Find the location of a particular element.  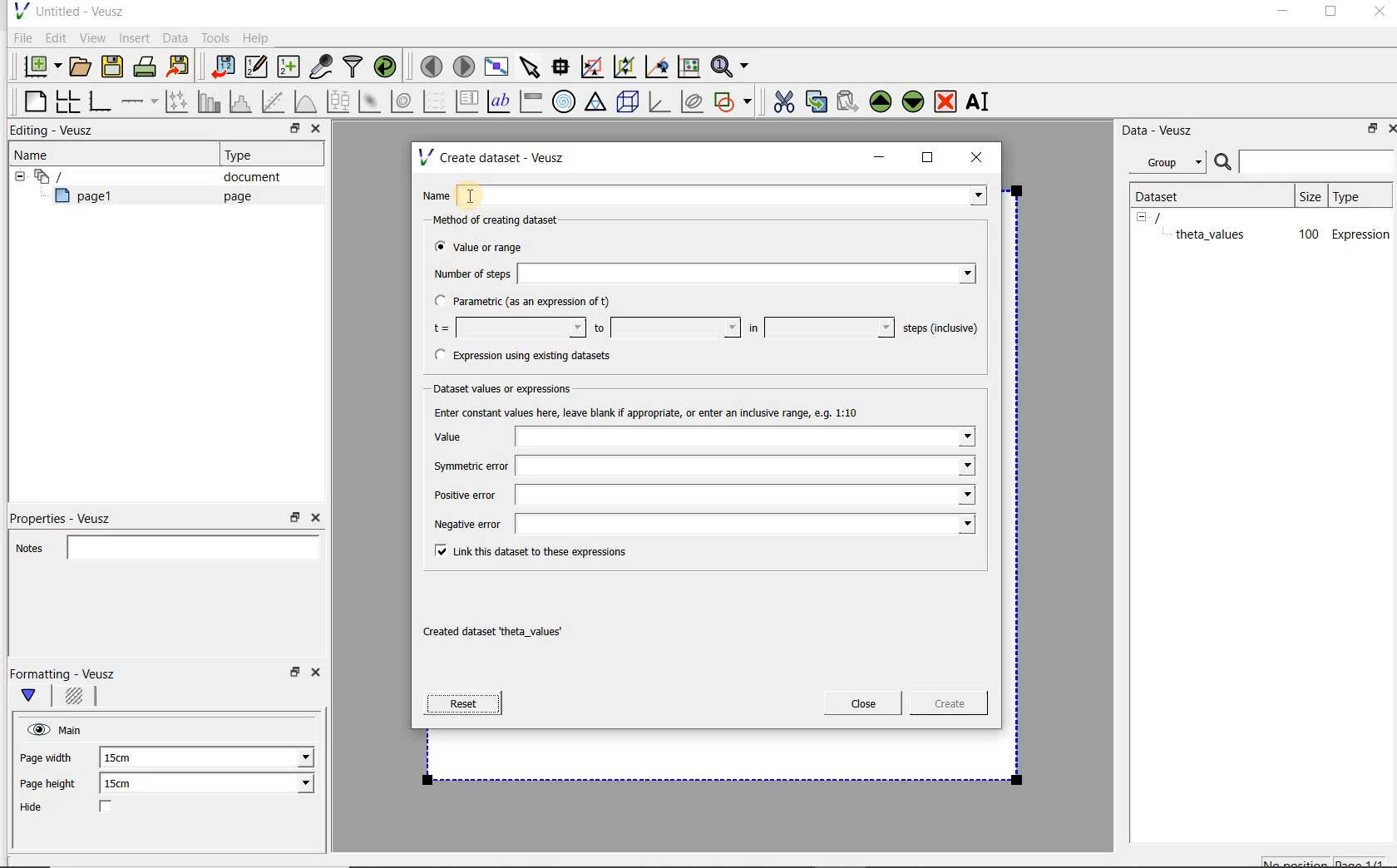

image color bar is located at coordinates (531, 101).